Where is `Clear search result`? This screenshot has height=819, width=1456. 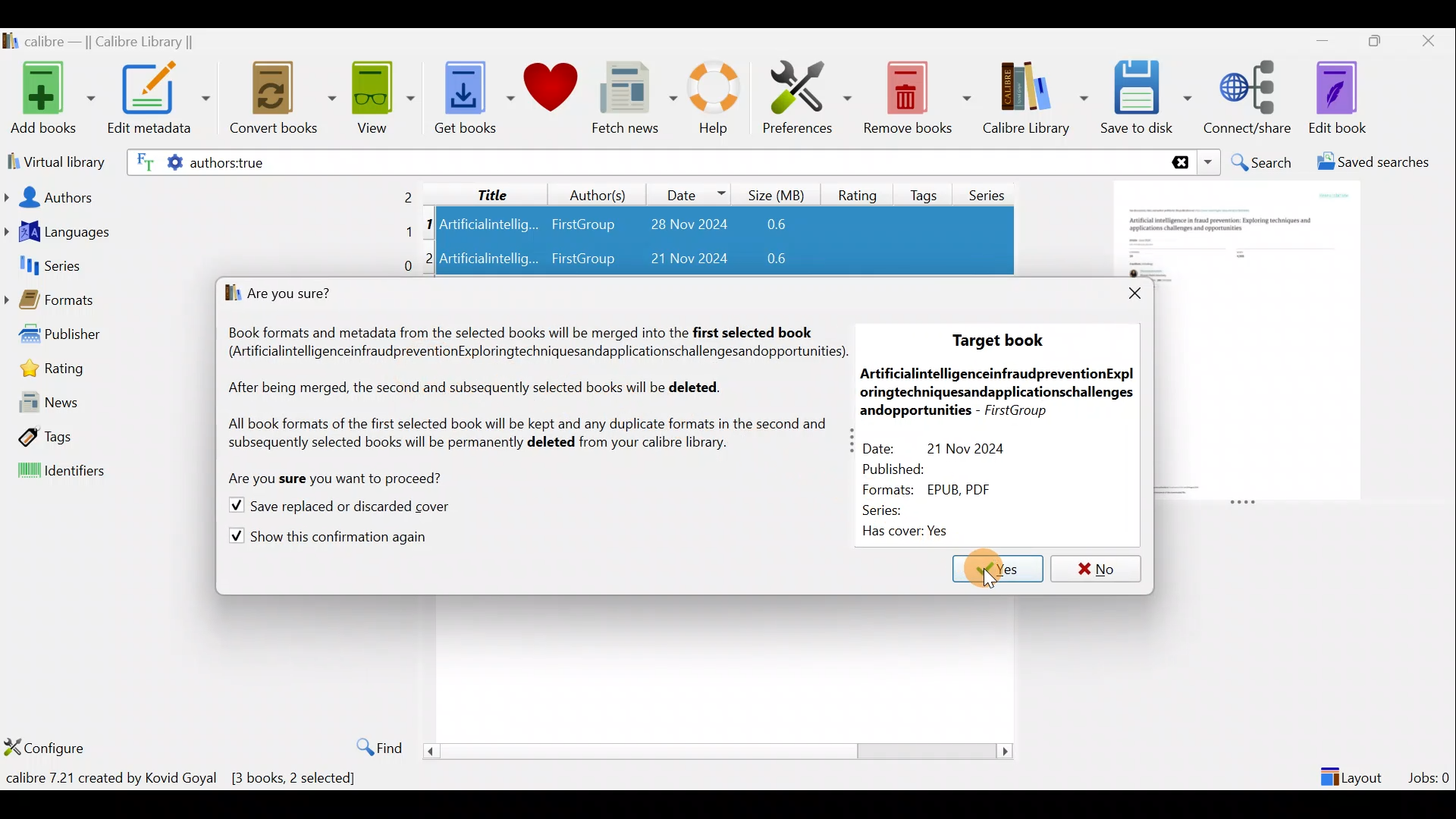 Clear search result is located at coordinates (1178, 163).